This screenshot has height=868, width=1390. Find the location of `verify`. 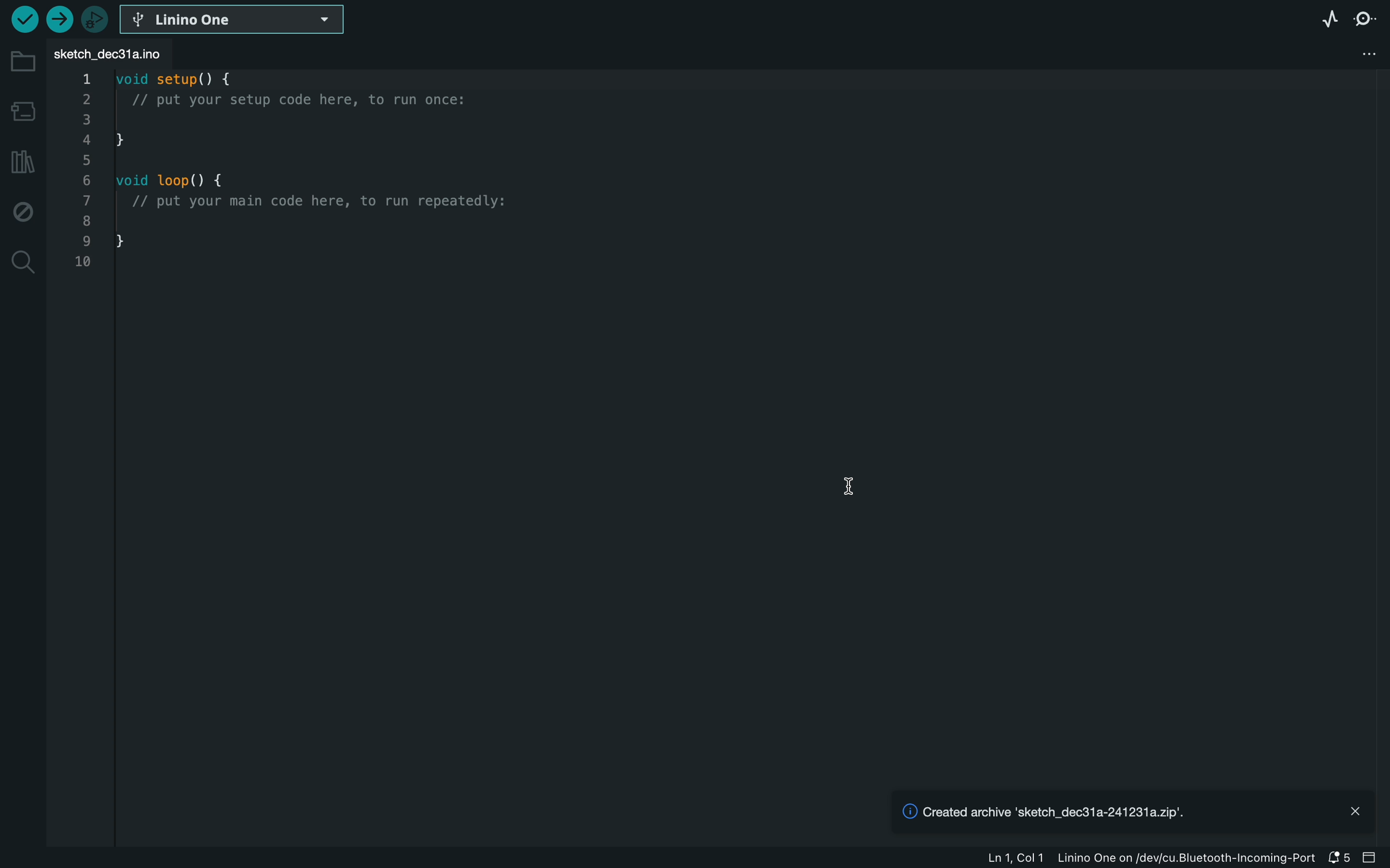

verify is located at coordinates (59, 20).